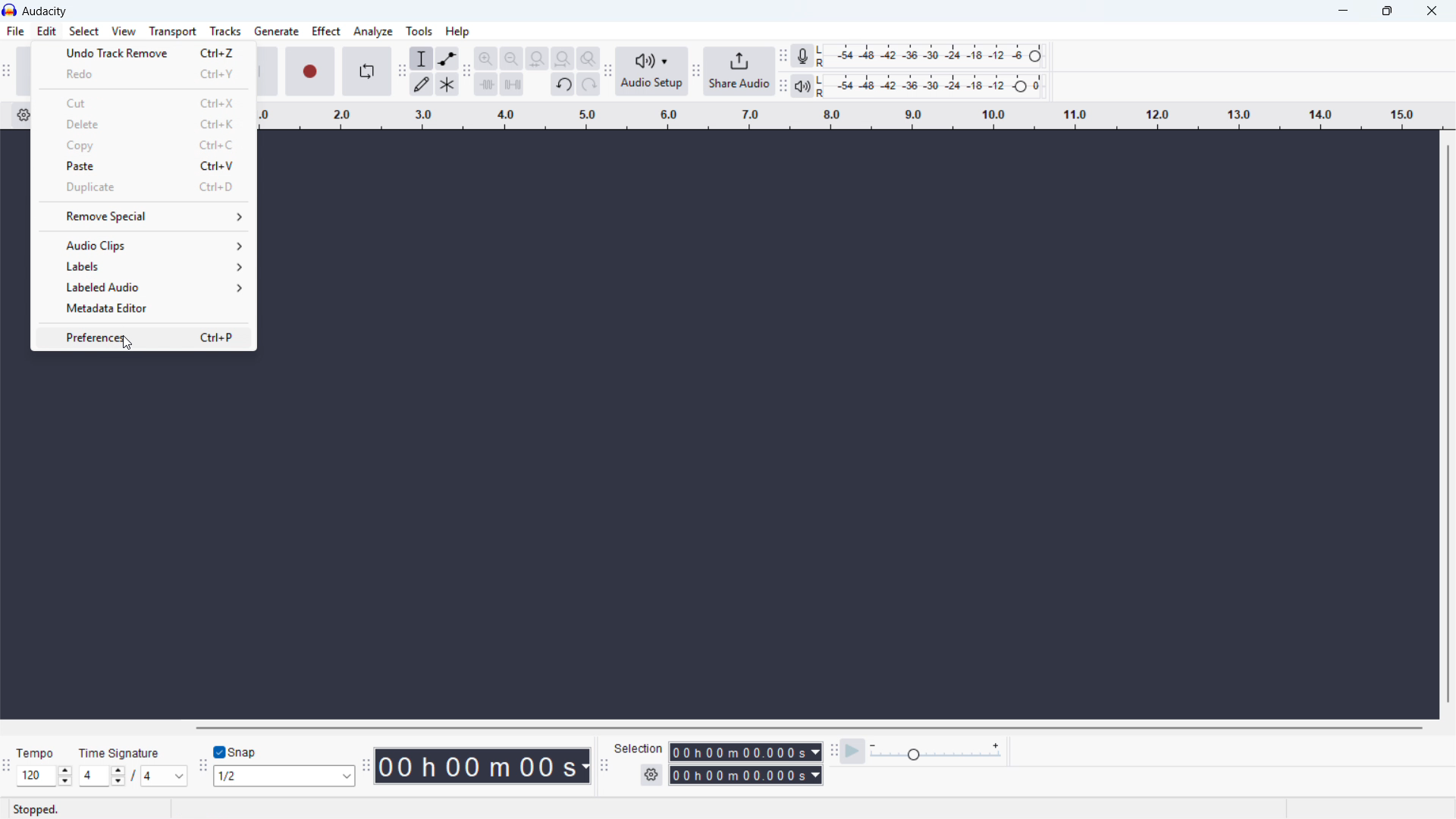 The height and width of the screenshot is (819, 1456). I want to click on recording meter toolbar, so click(783, 55).